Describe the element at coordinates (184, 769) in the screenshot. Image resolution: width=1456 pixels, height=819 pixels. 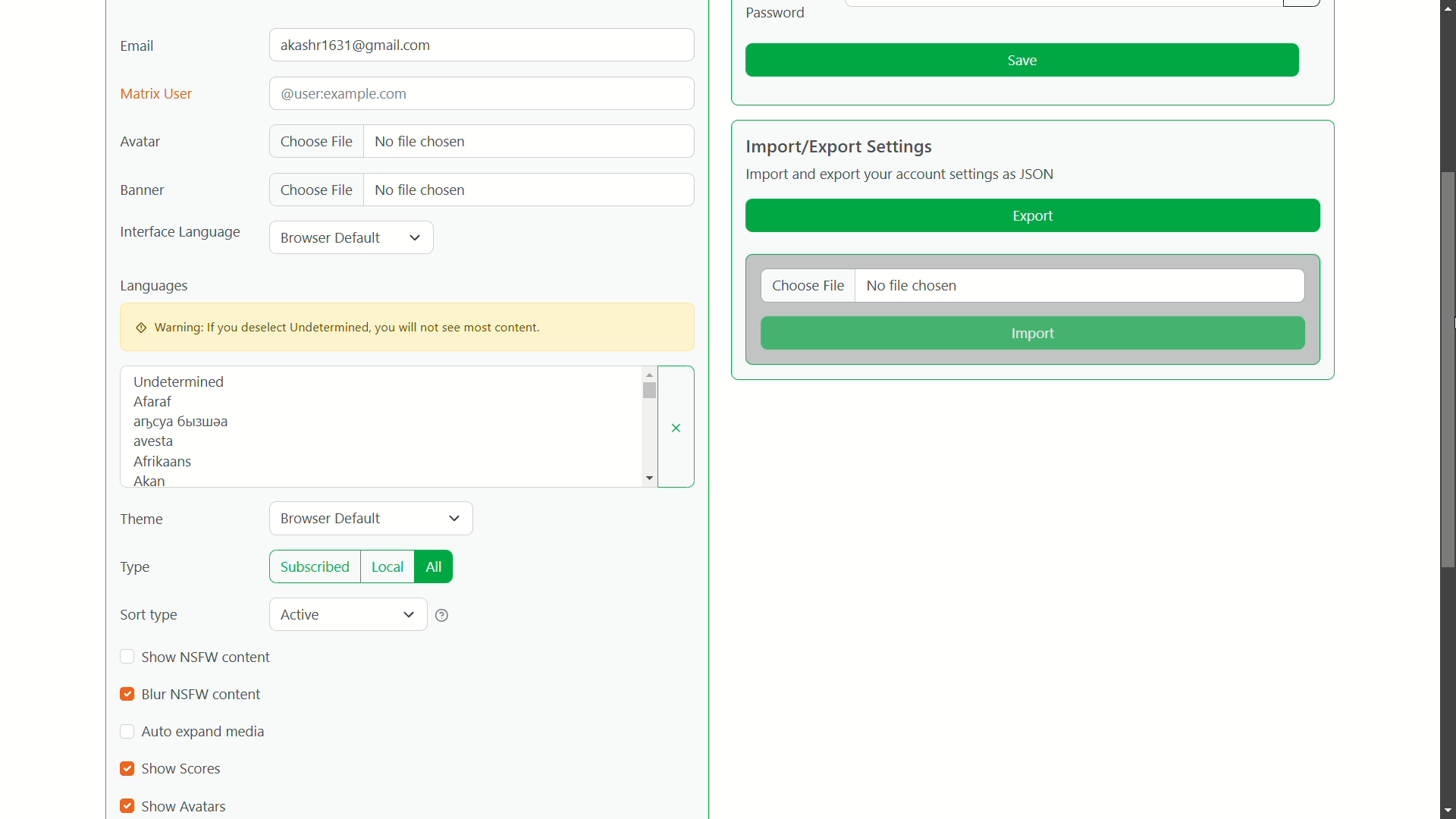
I see `show scores` at that location.